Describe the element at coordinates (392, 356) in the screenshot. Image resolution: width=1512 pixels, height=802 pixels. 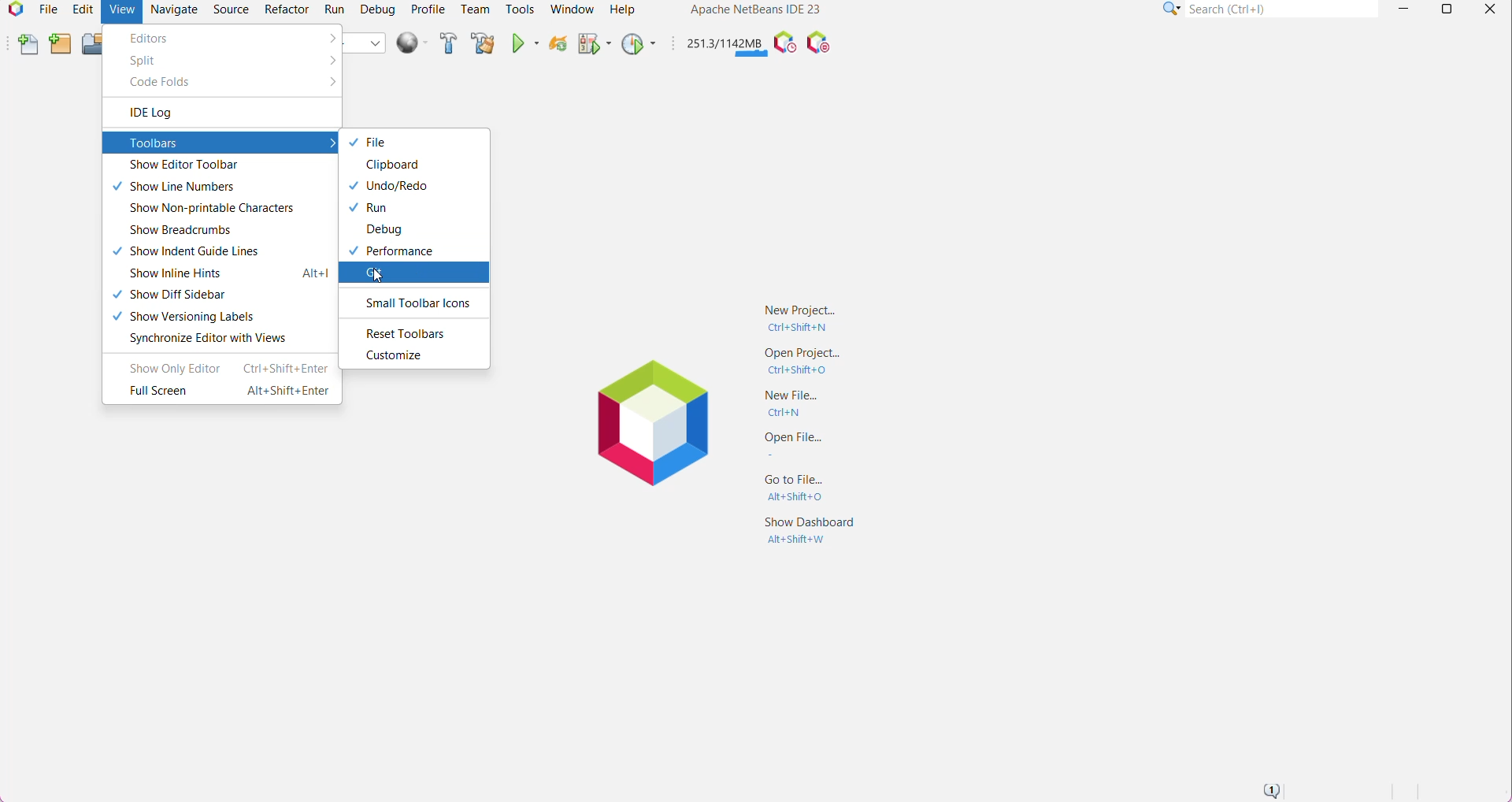
I see `Customize` at that location.